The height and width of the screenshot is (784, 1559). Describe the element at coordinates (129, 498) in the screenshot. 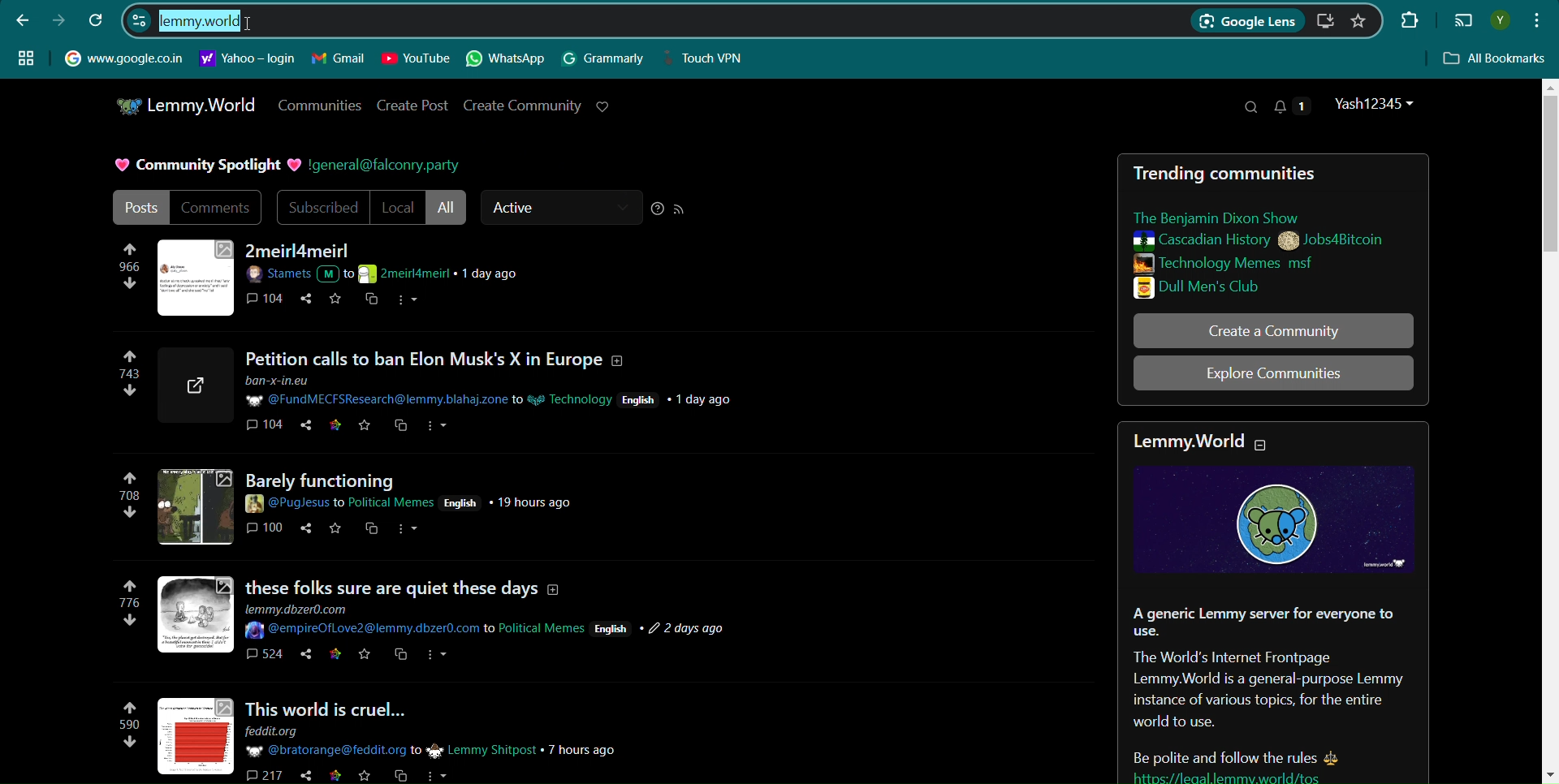

I see `708` at that location.